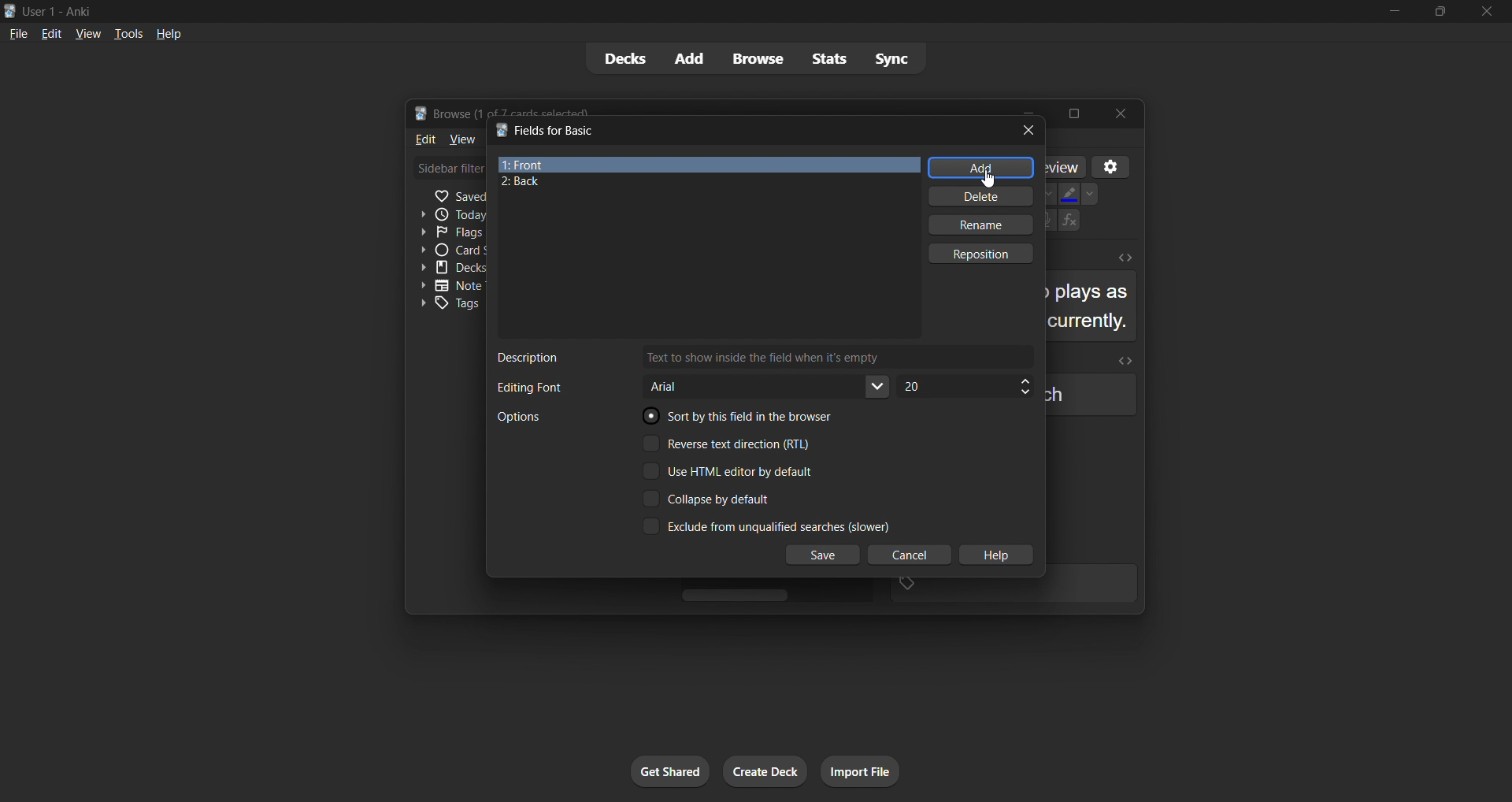 The height and width of the screenshot is (802, 1512). I want to click on help, so click(997, 556).